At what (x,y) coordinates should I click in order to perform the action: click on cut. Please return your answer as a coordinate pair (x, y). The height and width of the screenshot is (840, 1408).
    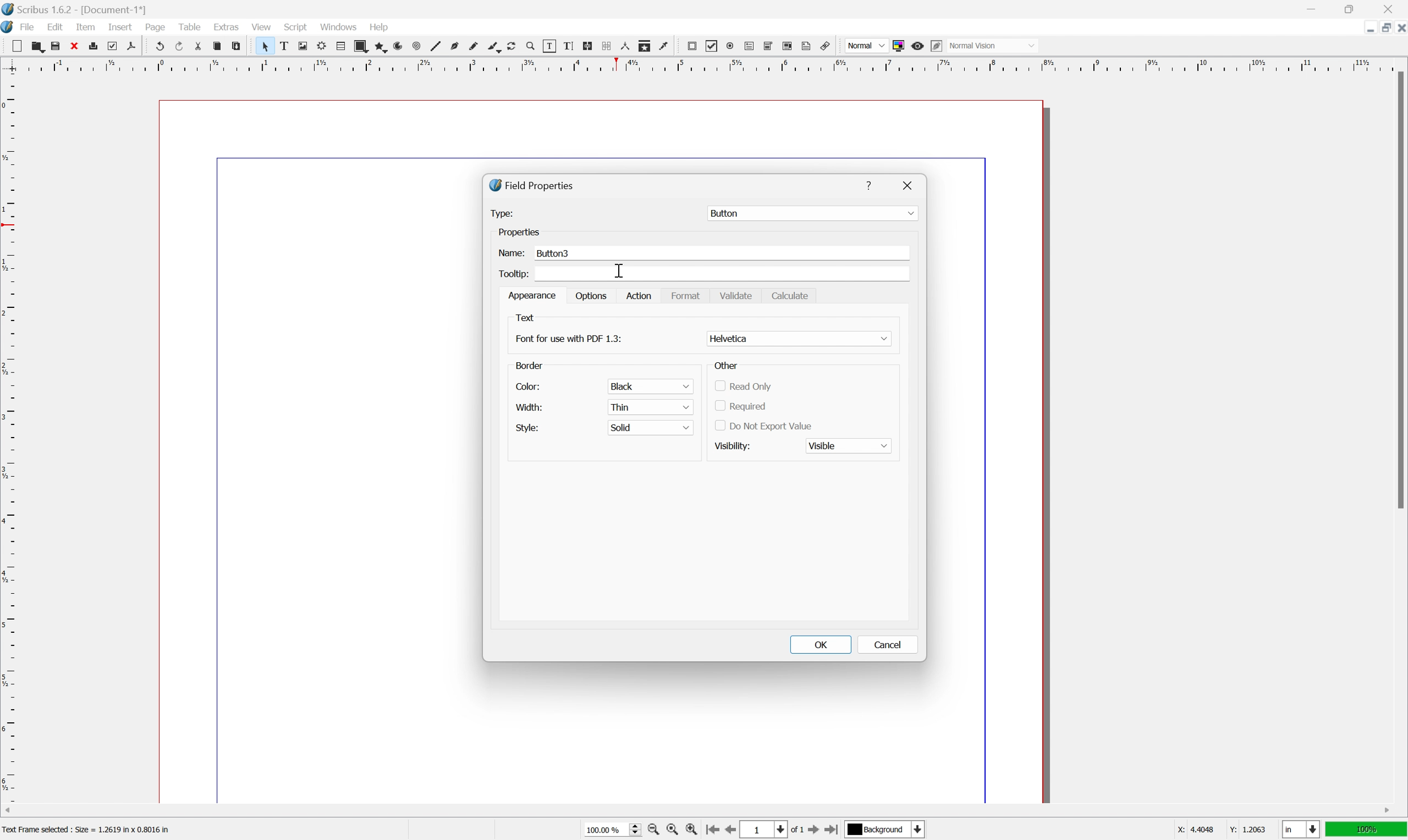
    Looking at the image, I should click on (74, 45).